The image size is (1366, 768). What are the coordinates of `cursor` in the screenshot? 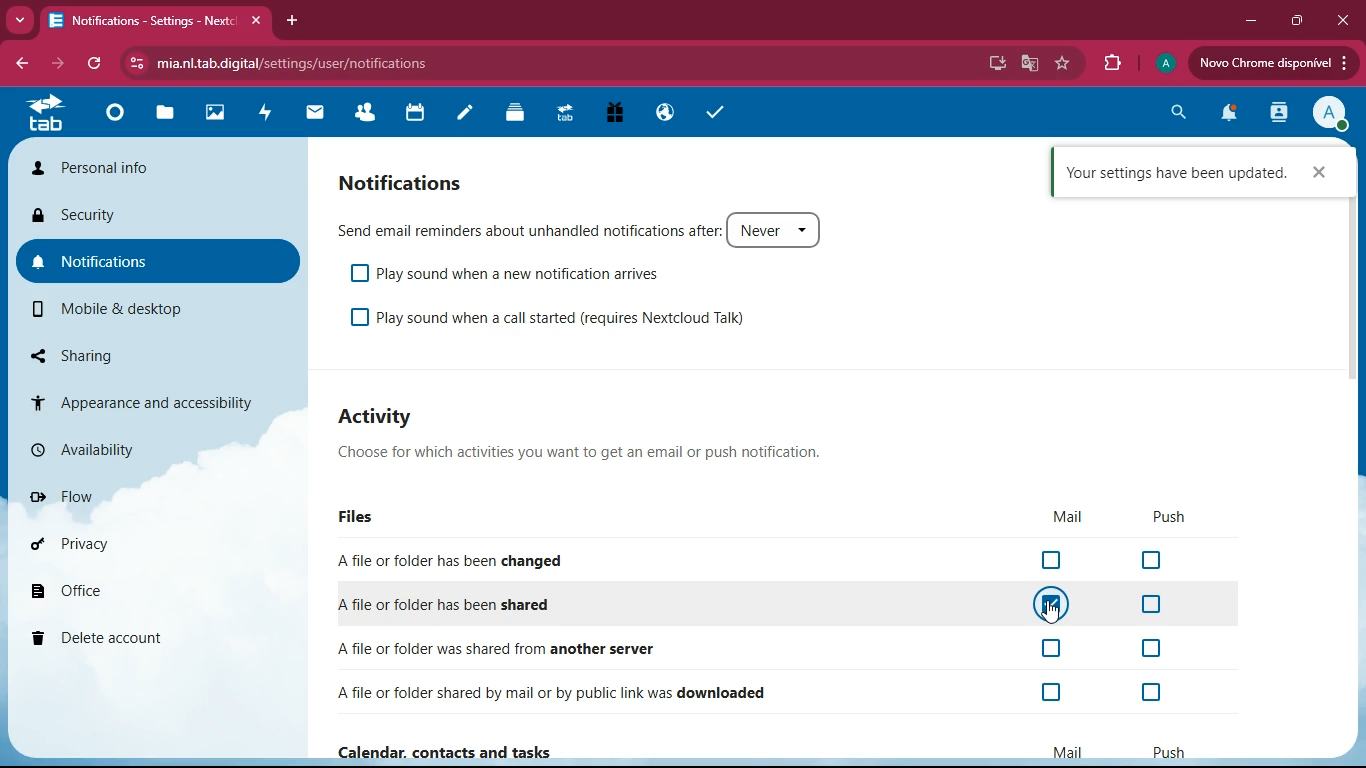 It's located at (1054, 608).